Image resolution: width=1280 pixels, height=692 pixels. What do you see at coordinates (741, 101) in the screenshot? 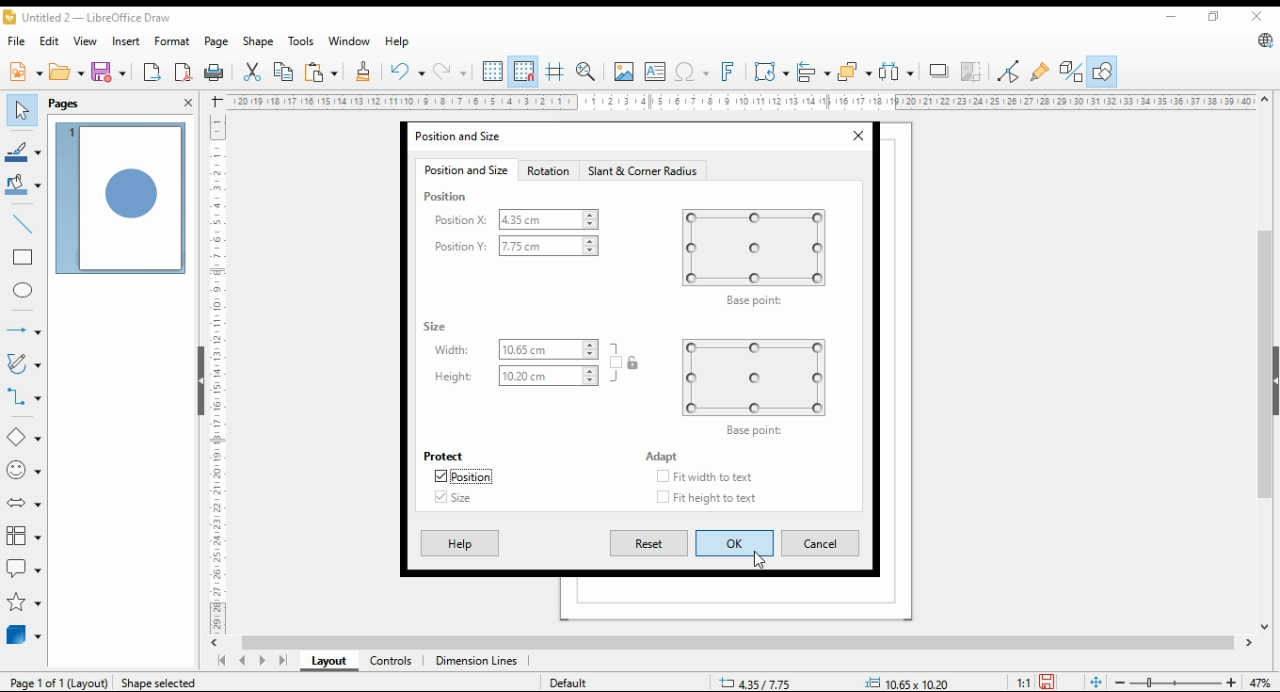
I see `Ruler` at bounding box center [741, 101].